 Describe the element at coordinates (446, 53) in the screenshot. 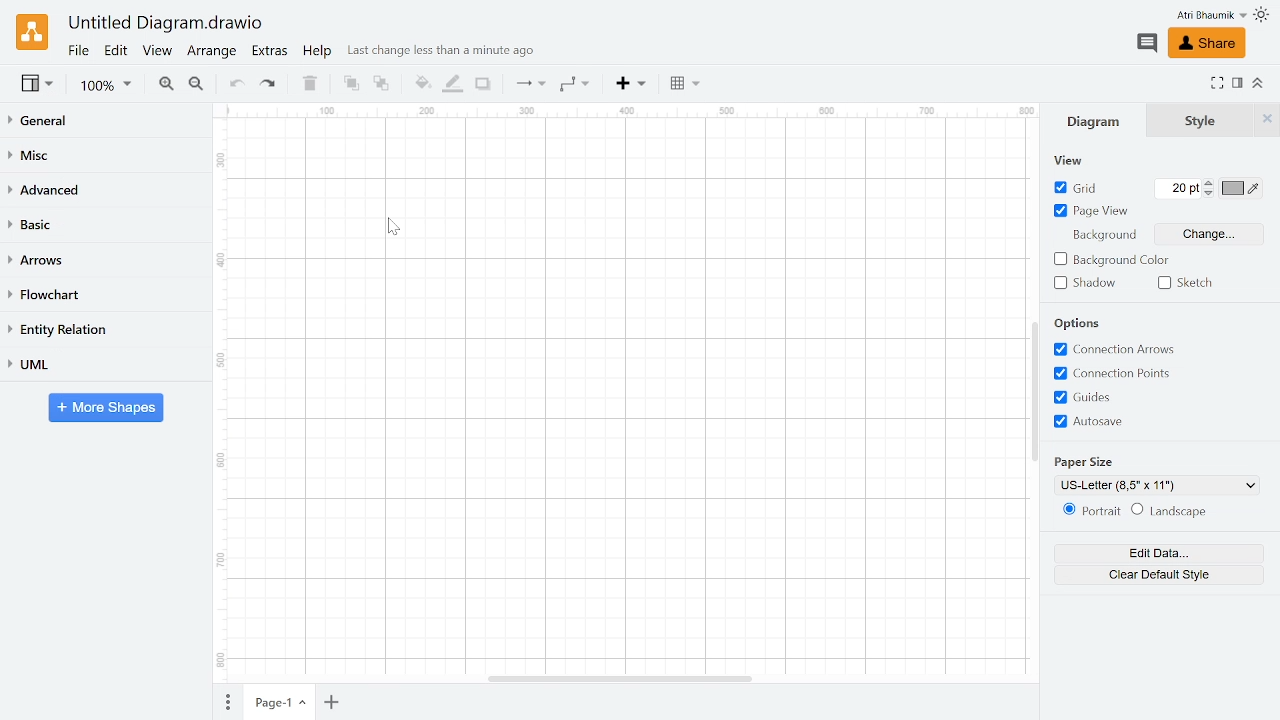

I see `Last change` at that location.